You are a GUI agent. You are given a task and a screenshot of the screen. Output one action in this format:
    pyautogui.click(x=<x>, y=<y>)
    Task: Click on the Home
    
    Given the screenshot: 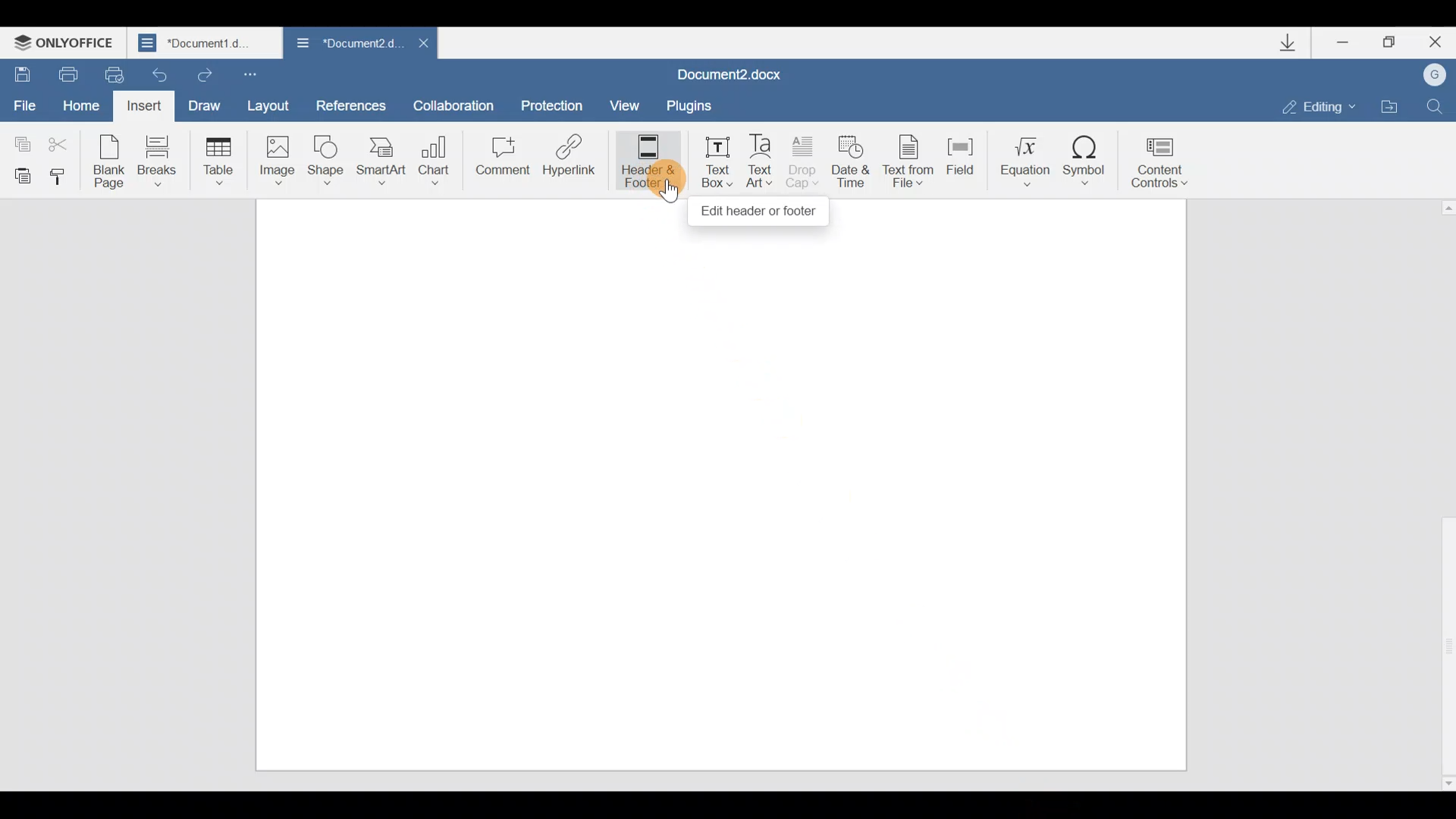 What is the action you would take?
    pyautogui.click(x=80, y=104)
    